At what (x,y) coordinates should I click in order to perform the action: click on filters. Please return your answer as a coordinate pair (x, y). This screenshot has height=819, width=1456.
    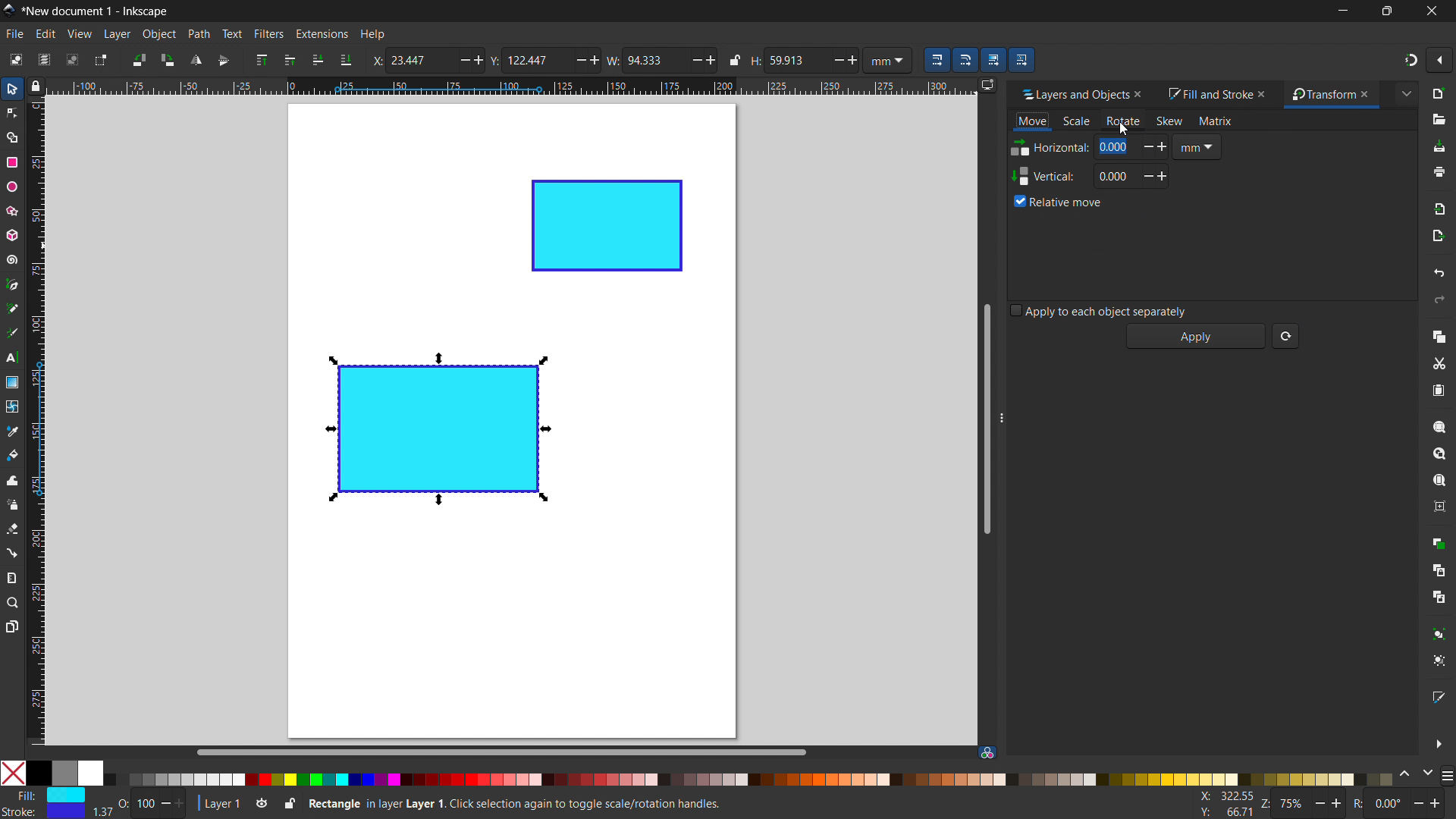
    Looking at the image, I should click on (269, 33).